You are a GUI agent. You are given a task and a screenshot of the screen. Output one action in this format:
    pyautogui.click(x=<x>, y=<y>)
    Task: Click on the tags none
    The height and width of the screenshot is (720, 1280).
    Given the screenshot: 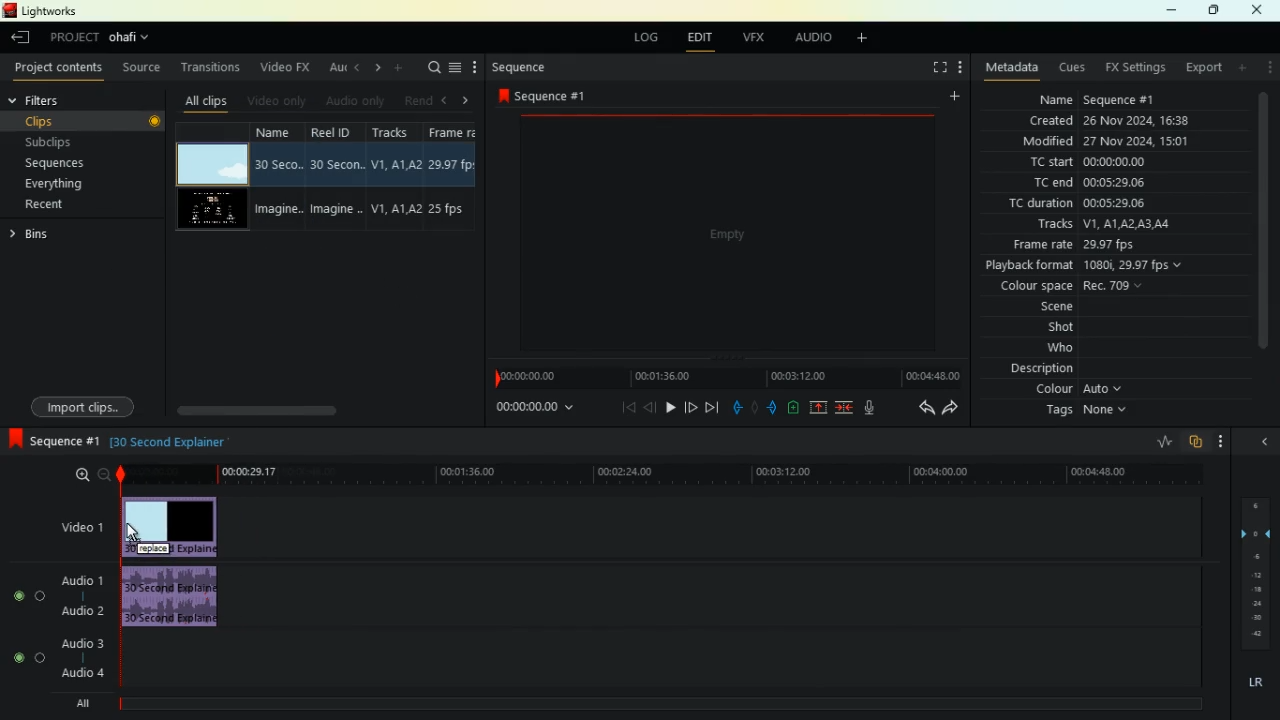 What is the action you would take?
    pyautogui.click(x=1084, y=413)
    